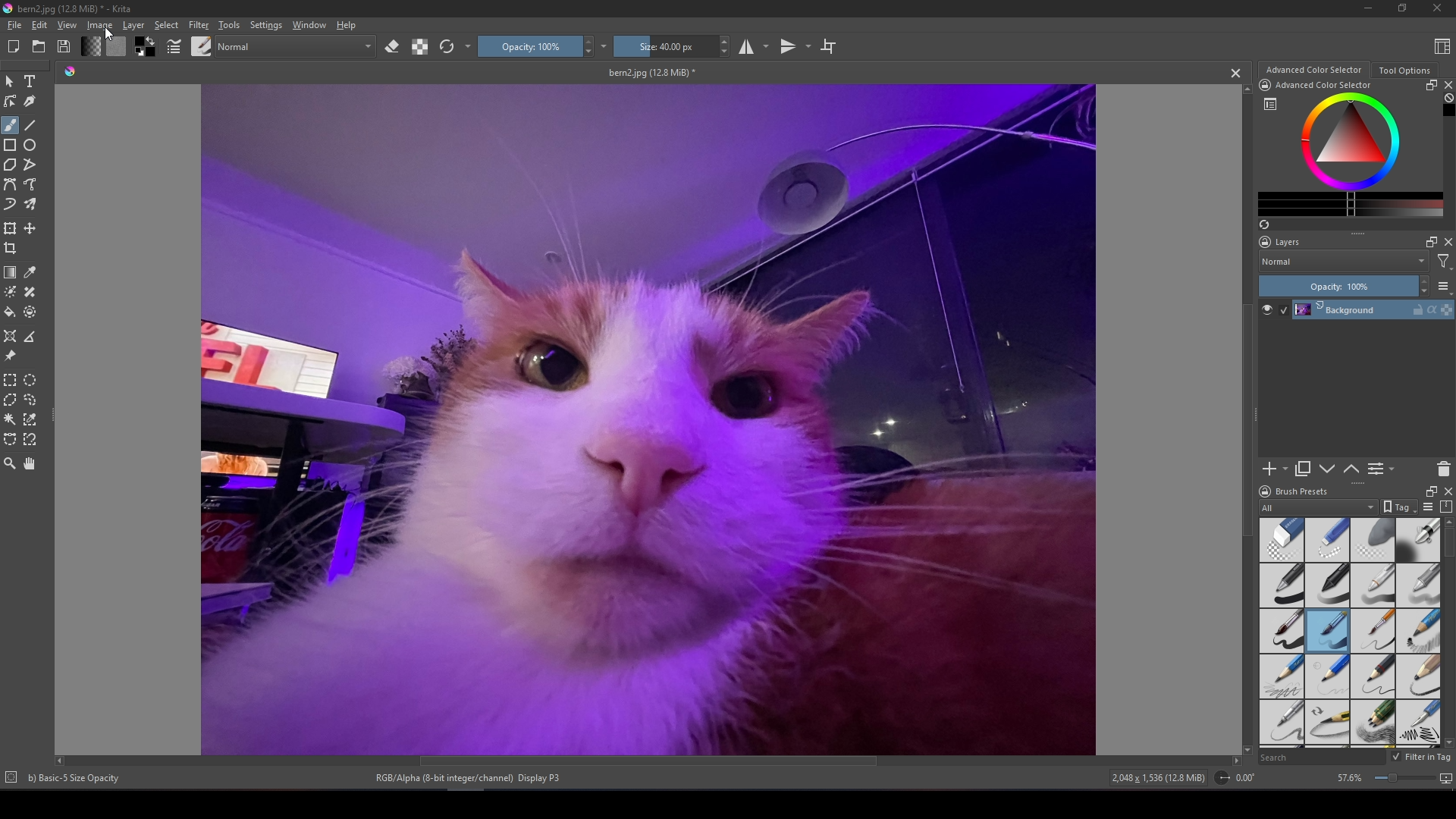 The width and height of the screenshot is (1456, 819). What do you see at coordinates (39, 45) in the screenshot?
I see `Open existing document` at bounding box center [39, 45].